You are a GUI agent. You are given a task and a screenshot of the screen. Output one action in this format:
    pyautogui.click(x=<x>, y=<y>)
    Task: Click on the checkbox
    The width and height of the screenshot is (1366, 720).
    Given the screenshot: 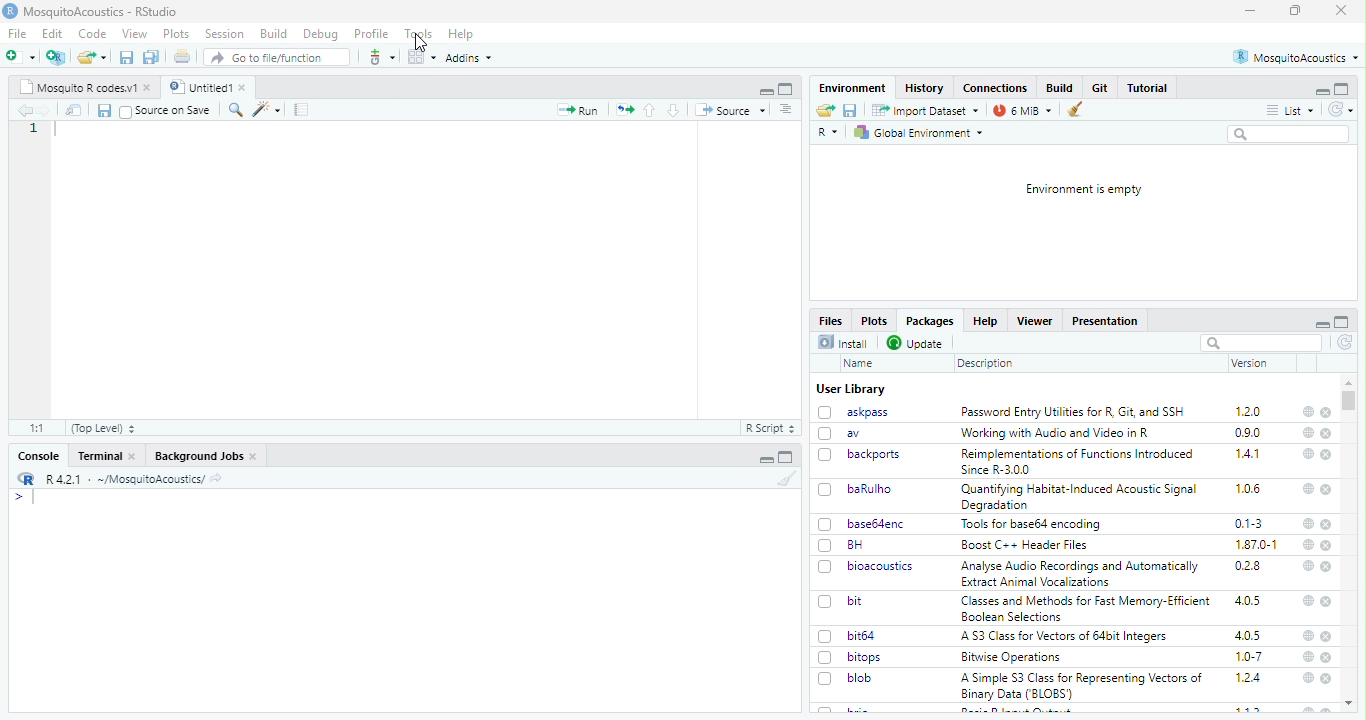 What is the action you would take?
    pyautogui.click(x=825, y=413)
    